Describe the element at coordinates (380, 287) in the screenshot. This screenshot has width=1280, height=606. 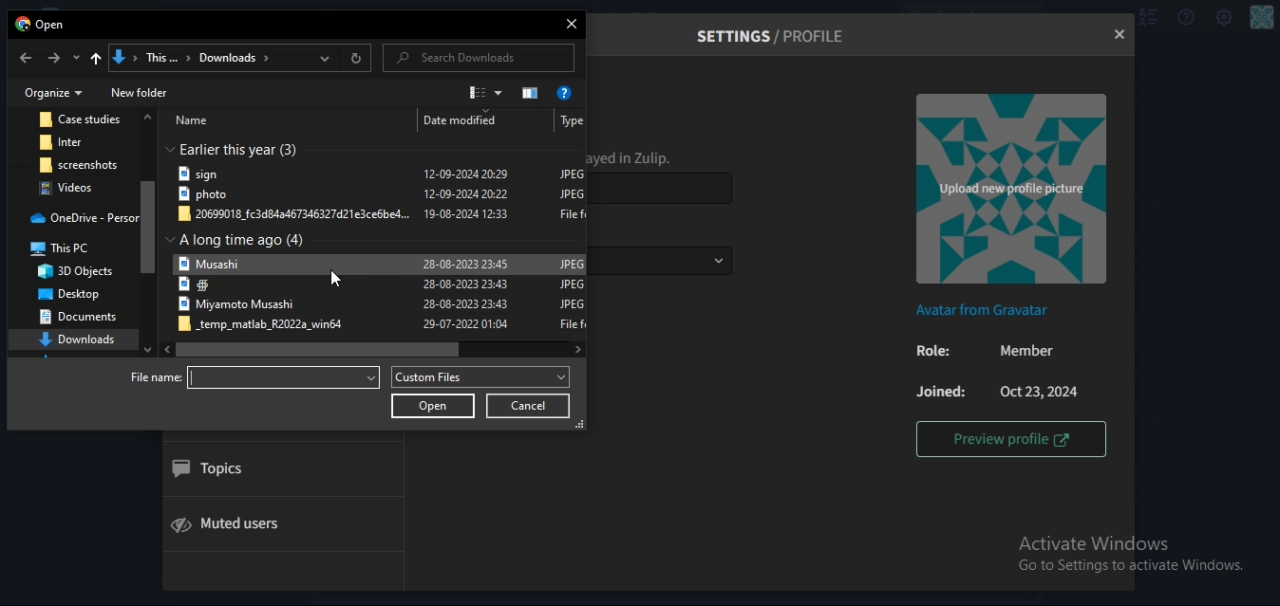
I see `file` at that location.